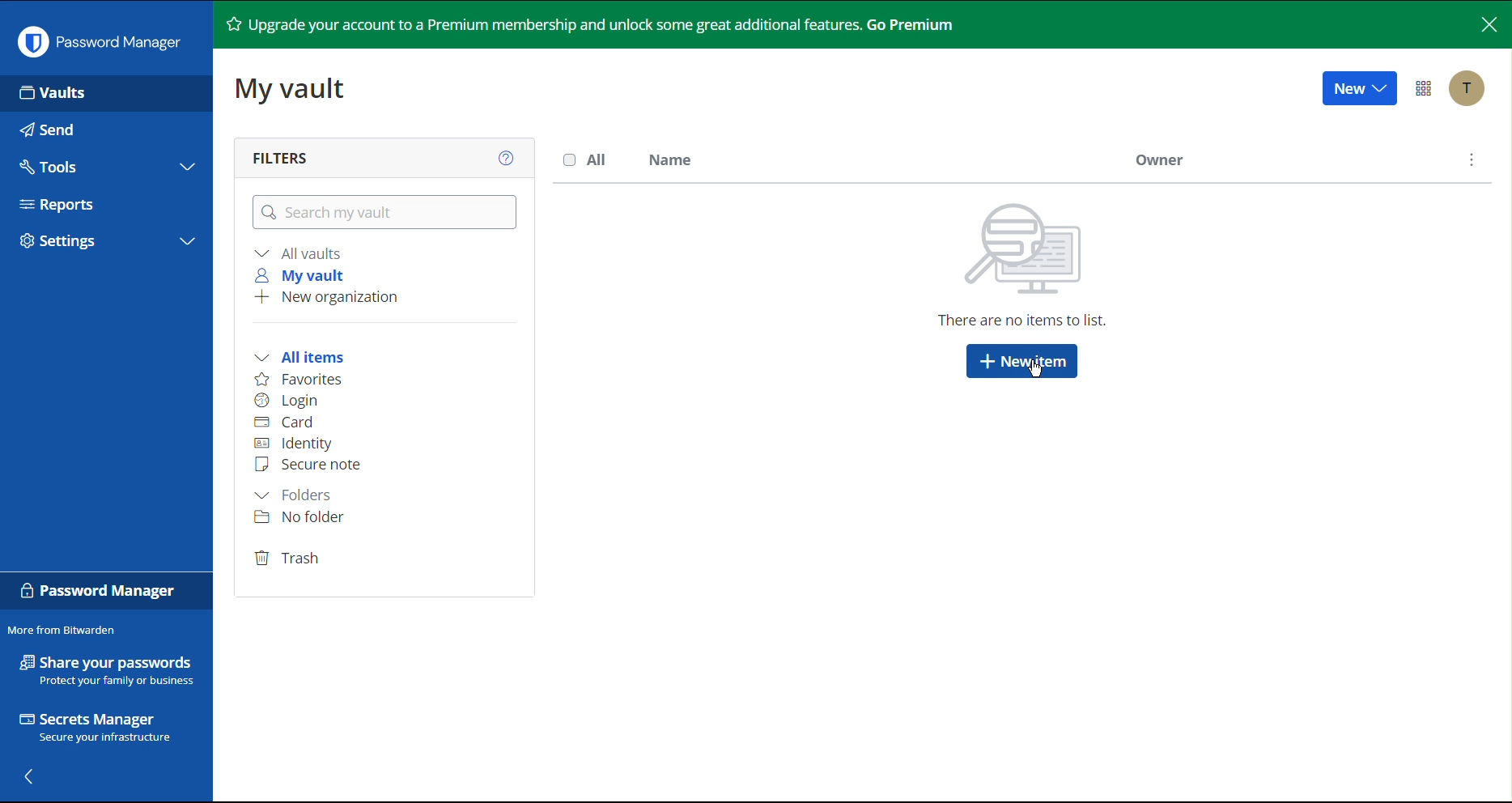 The image size is (1512, 803). Describe the element at coordinates (298, 381) in the screenshot. I see `Favorites` at that location.